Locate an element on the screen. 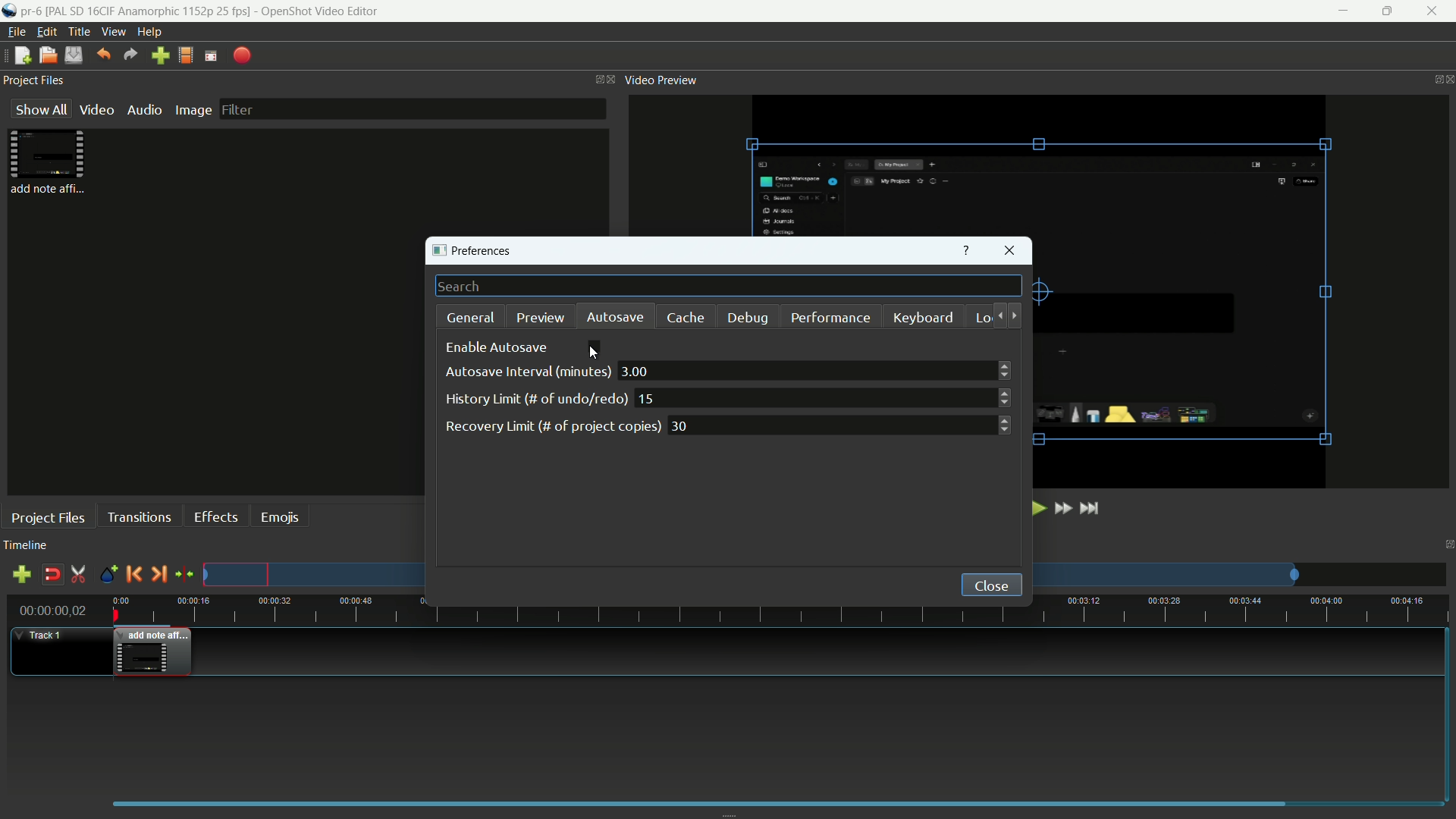  change layout is located at coordinates (1447, 544).